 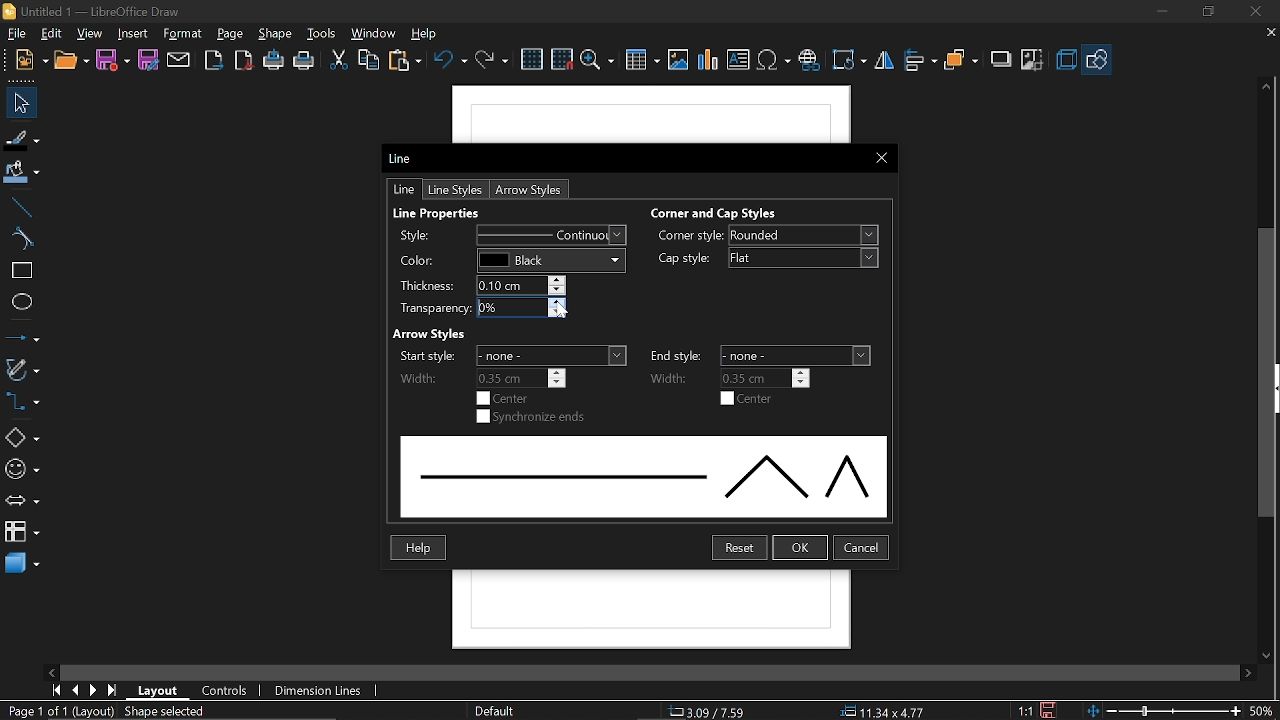 What do you see at coordinates (479, 378) in the screenshot?
I see `Start Width` at bounding box center [479, 378].